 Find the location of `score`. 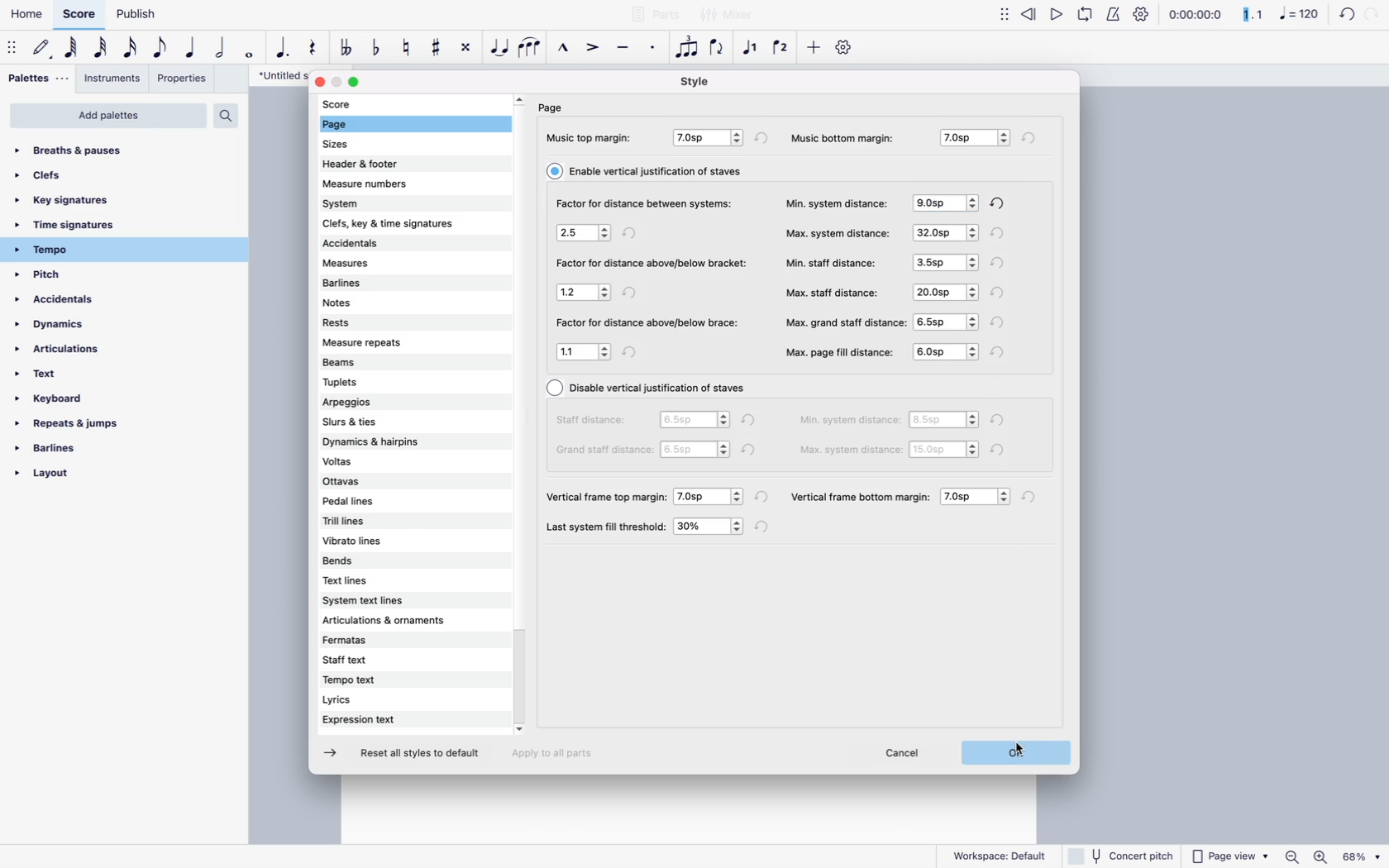

score is located at coordinates (360, 104).